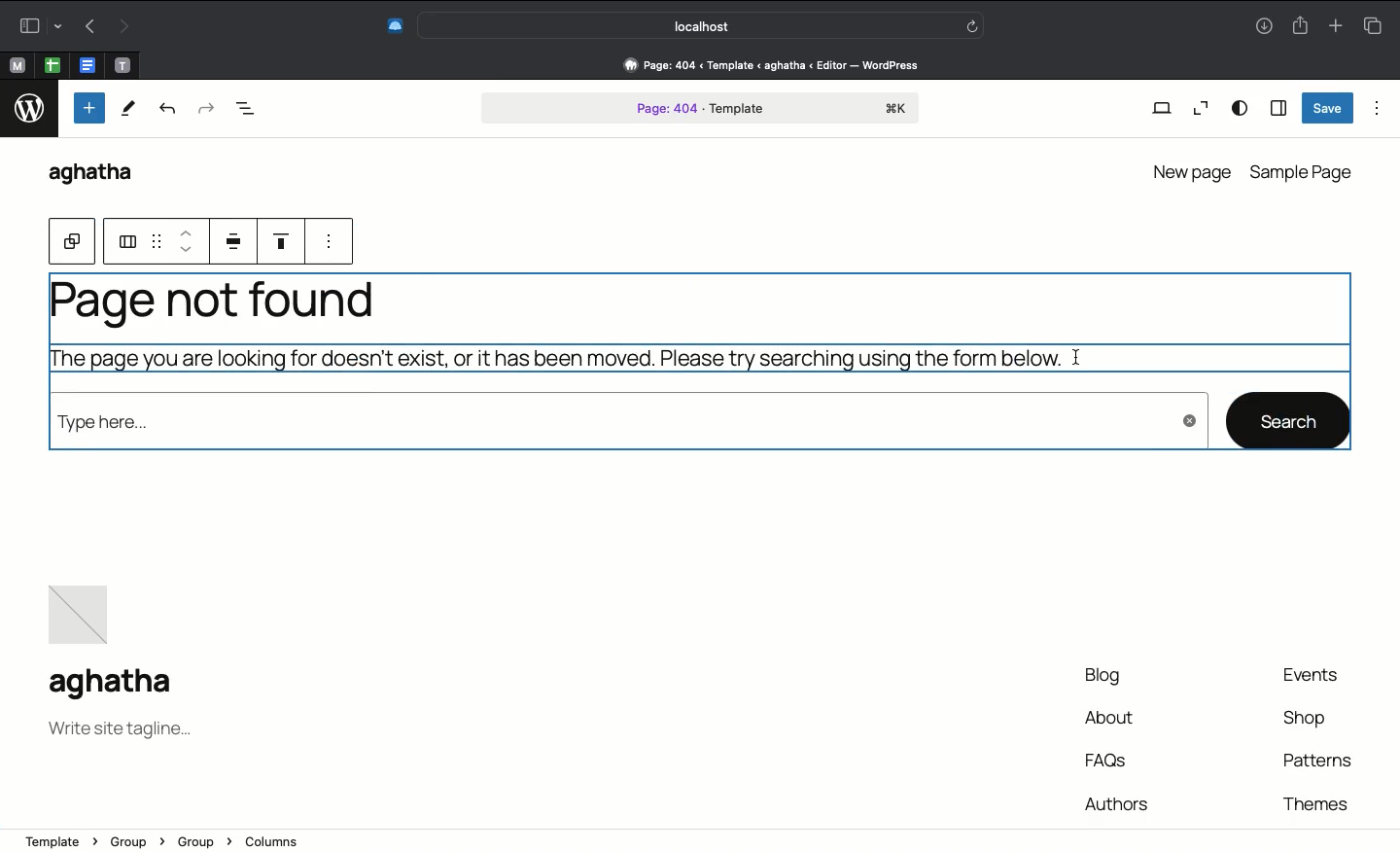  Describe the element at coordinates (100, 175) in the screenshot. I see `WordPress name` at that location.